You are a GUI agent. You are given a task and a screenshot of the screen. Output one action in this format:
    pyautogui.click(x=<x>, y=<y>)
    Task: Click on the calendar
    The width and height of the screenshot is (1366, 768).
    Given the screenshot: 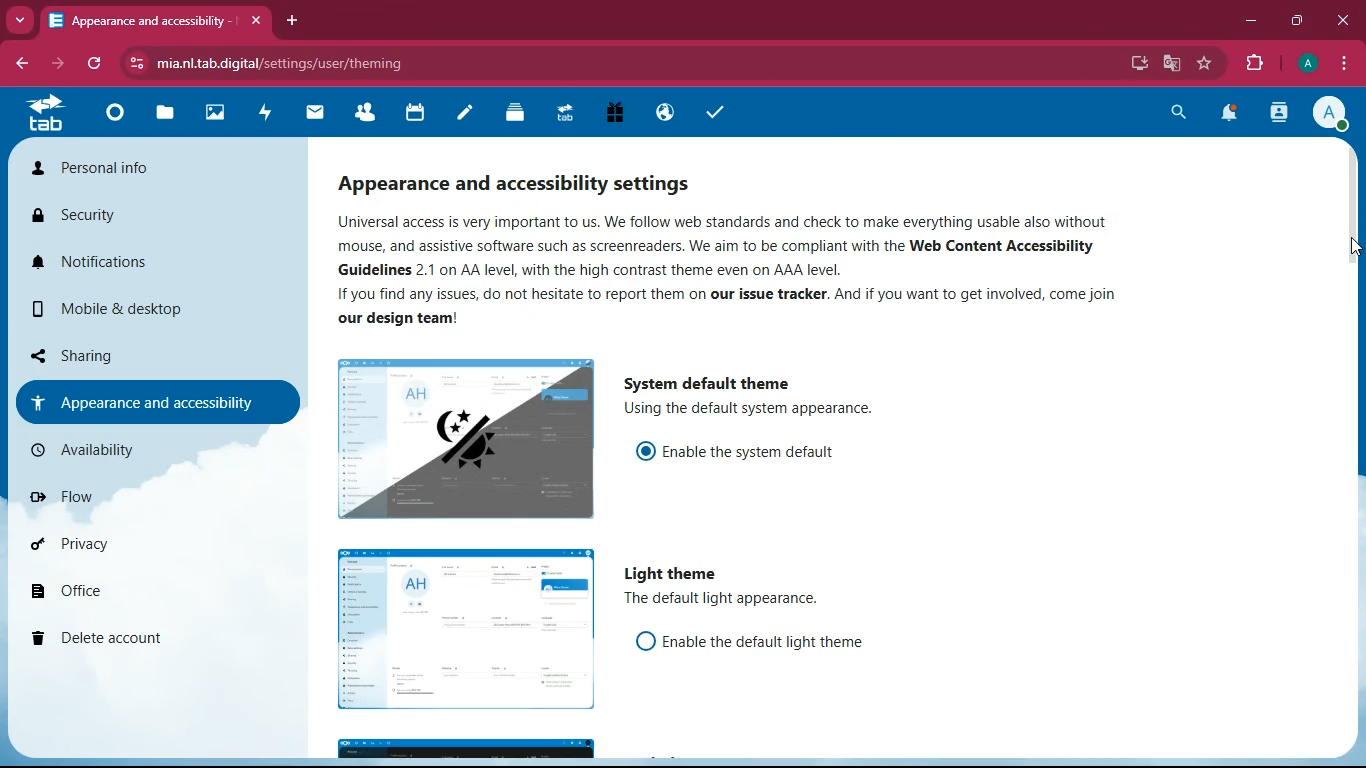 What is the action you would take?
    pyautogui.click(x=415, y=114)
    